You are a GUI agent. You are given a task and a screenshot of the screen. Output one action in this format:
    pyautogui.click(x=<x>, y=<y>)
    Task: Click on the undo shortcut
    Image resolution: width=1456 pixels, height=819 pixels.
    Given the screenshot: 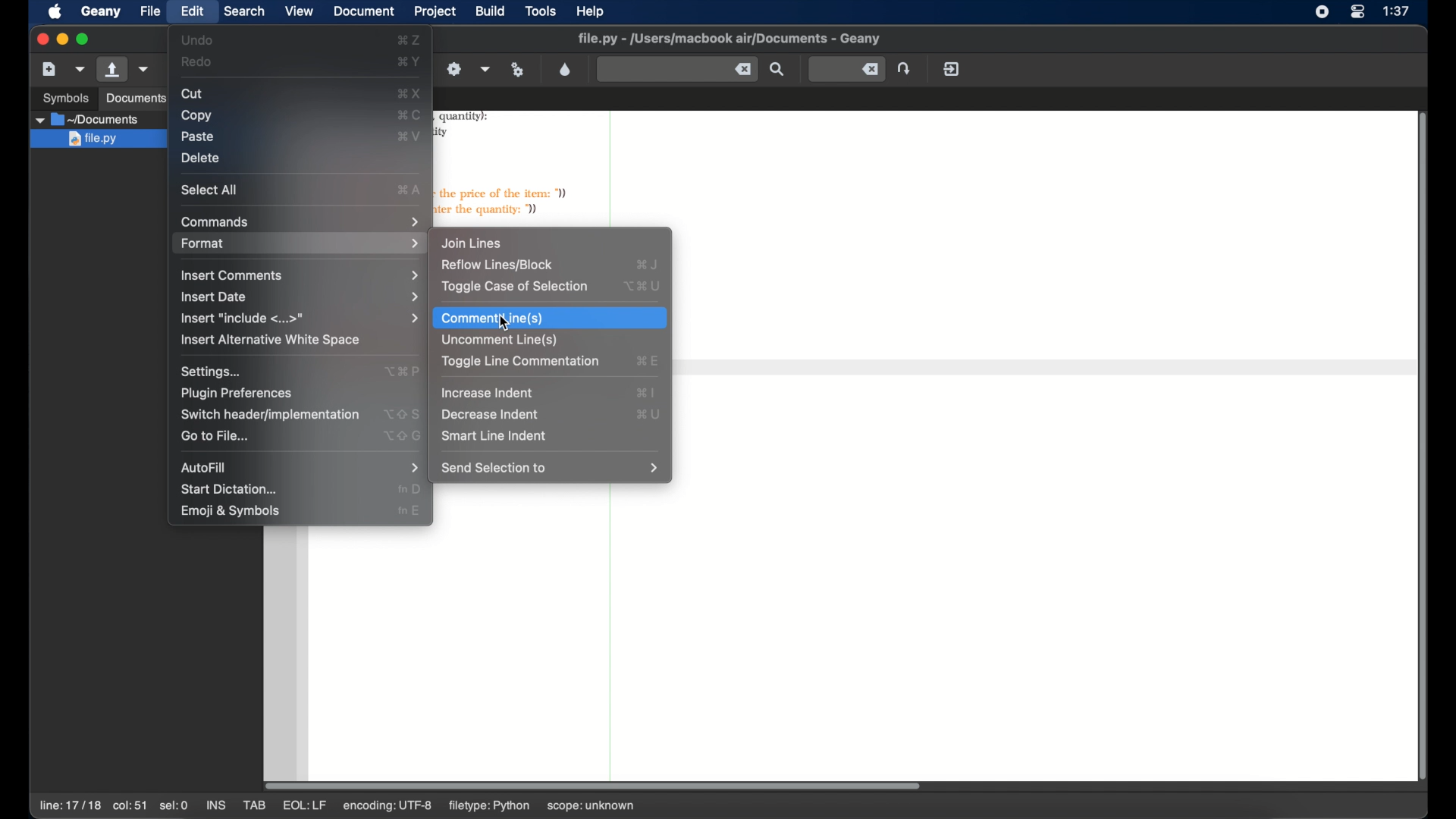 What is the action you would take?
    pyautogui.click(x=409, y=39)
    